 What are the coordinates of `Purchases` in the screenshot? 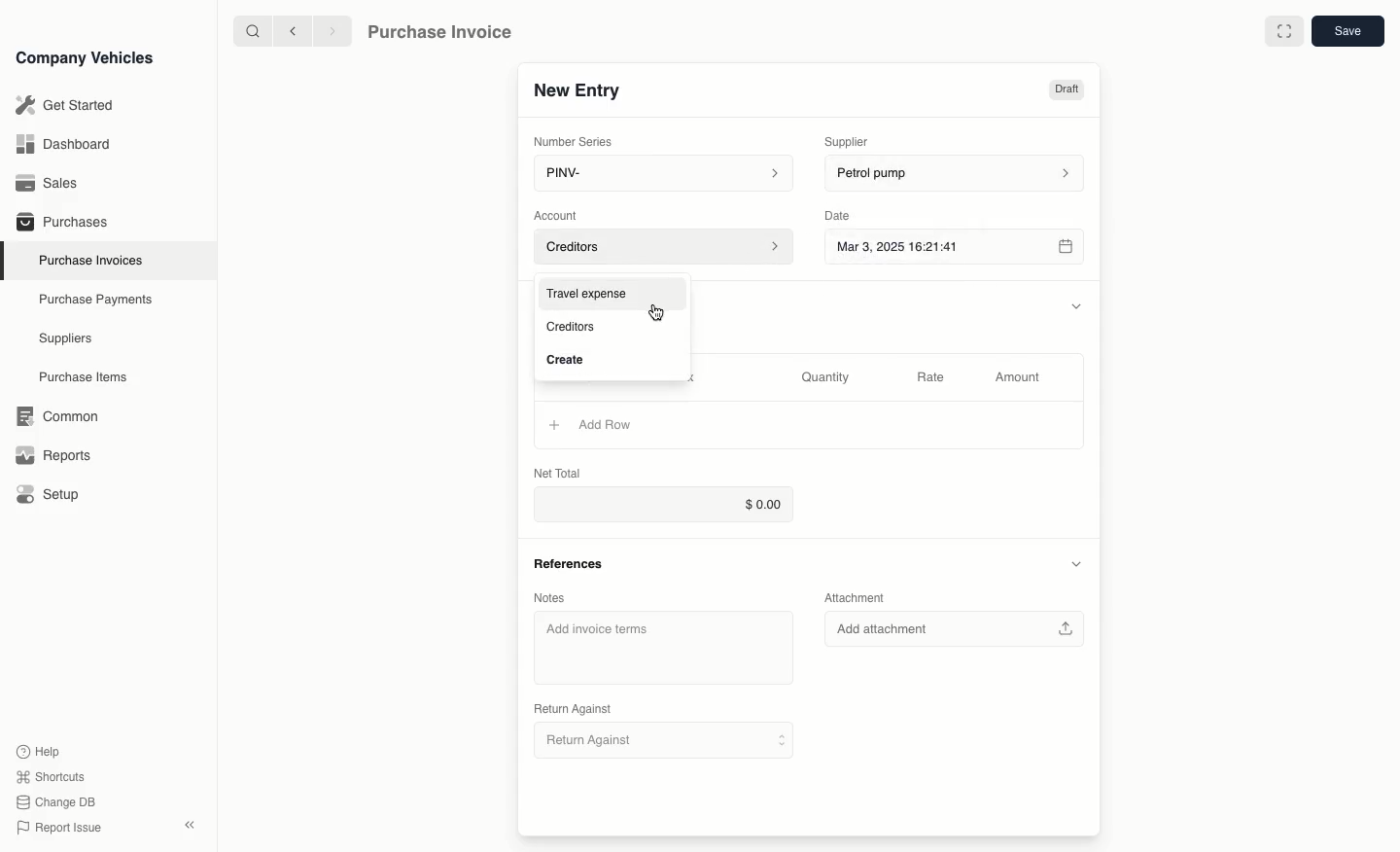 It's located at (57, 224).